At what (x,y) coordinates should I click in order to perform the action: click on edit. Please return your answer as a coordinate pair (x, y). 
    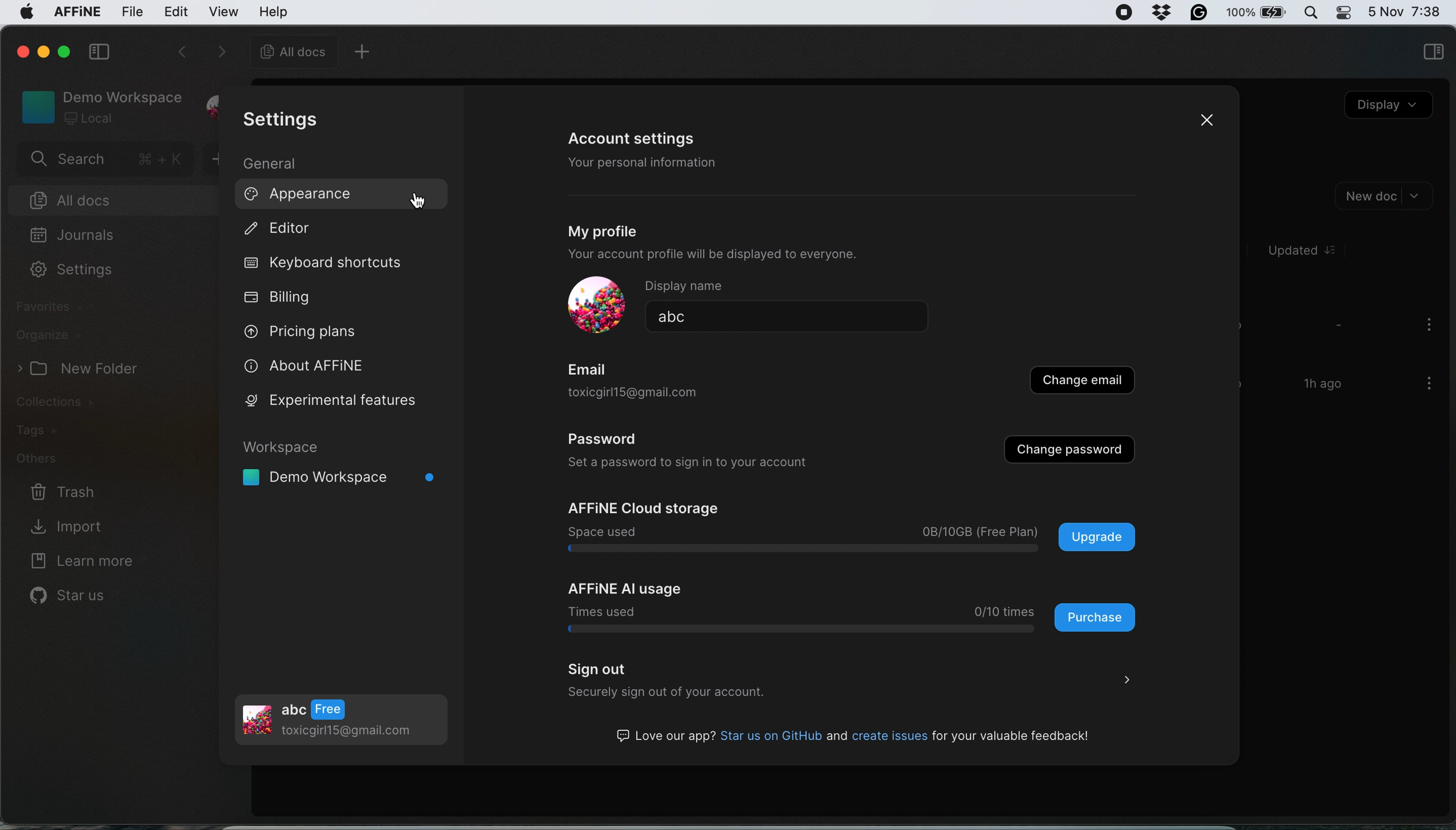
    Looking at the image, I should click on (176, 13).